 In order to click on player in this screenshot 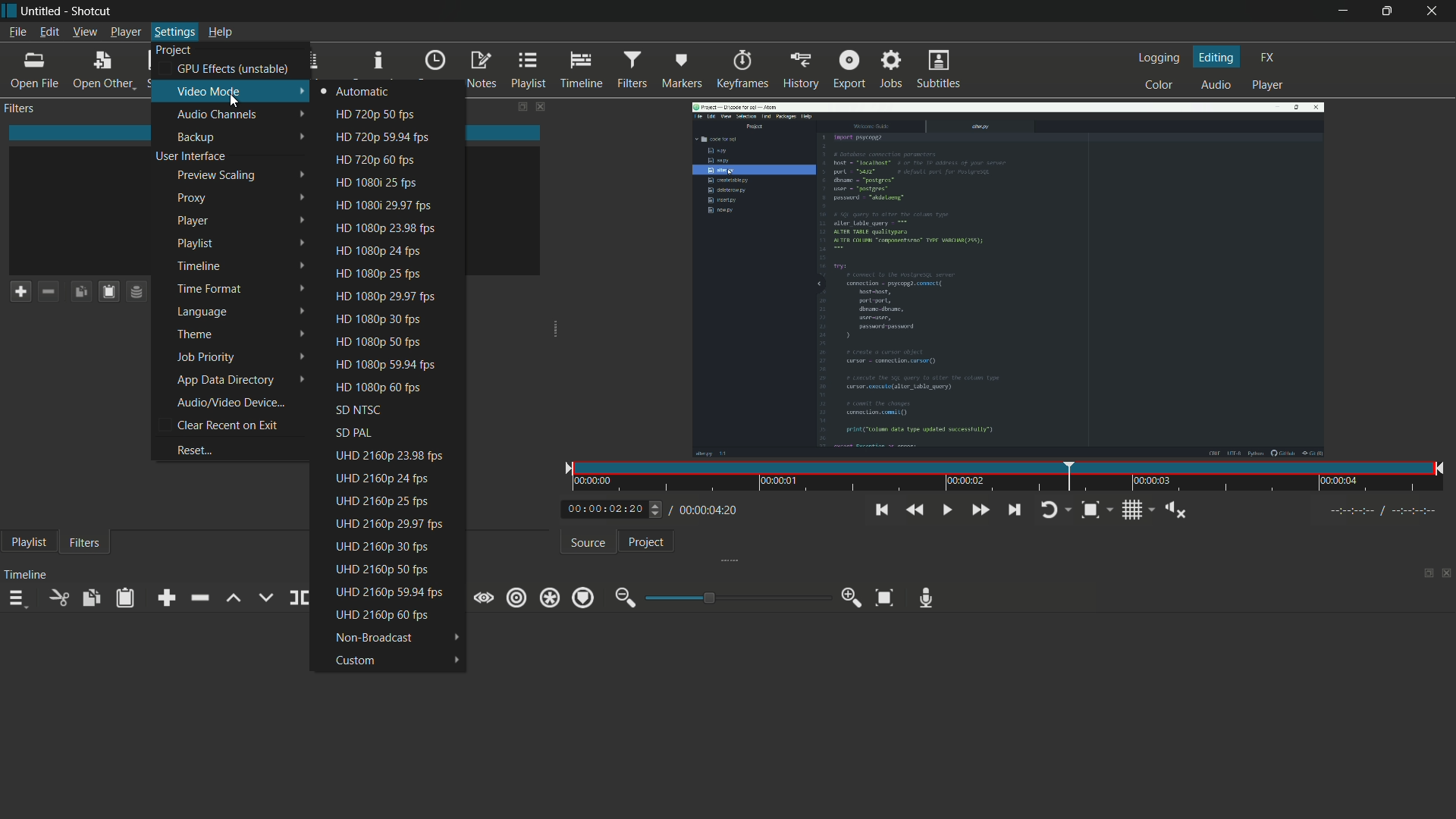, I will do `click(1269, 85)`.